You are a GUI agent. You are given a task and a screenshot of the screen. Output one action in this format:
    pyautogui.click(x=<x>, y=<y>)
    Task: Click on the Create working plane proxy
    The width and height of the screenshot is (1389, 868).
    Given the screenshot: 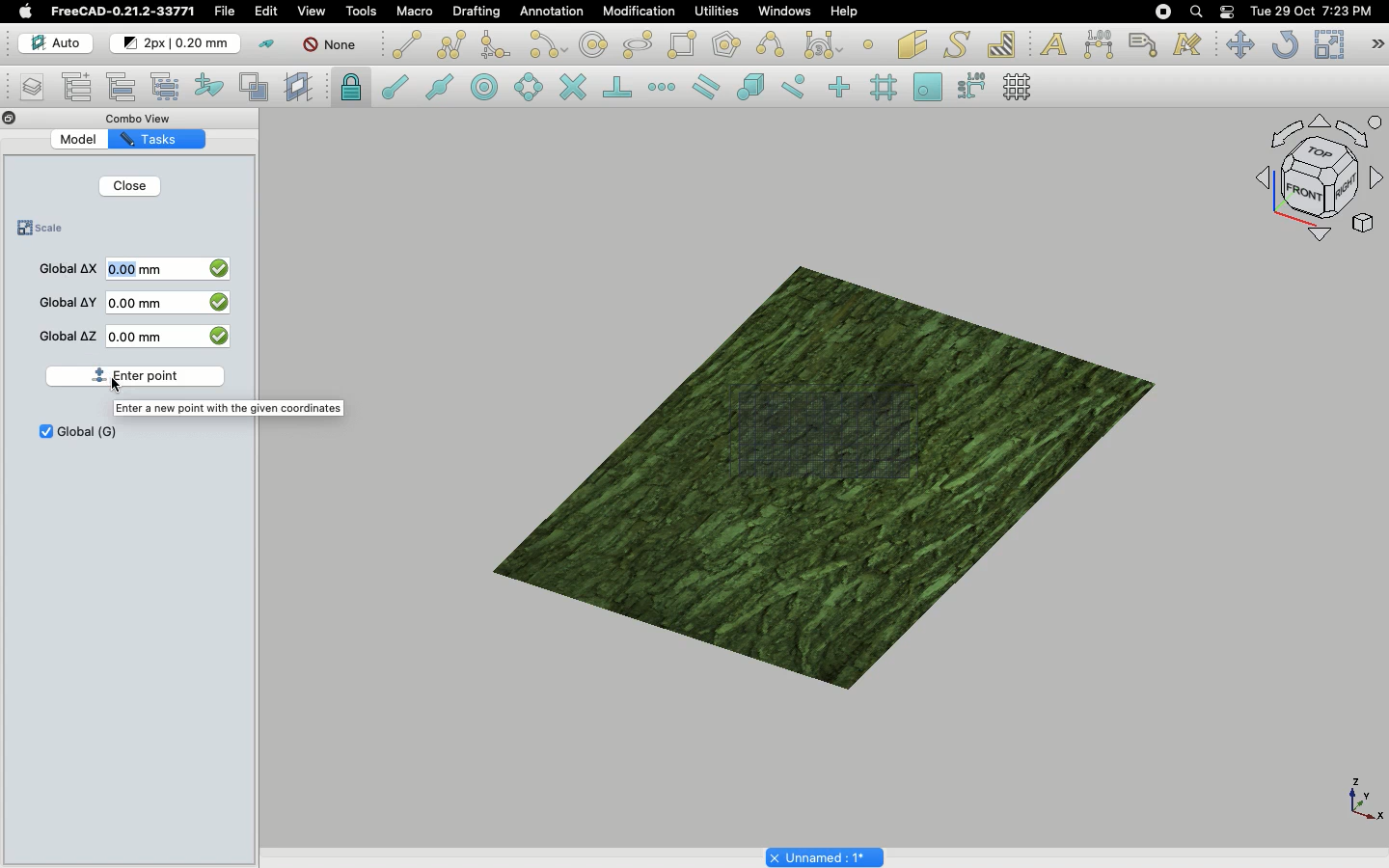 What is the action you would take?
    pyautogui.click(x=301, y=89)
    